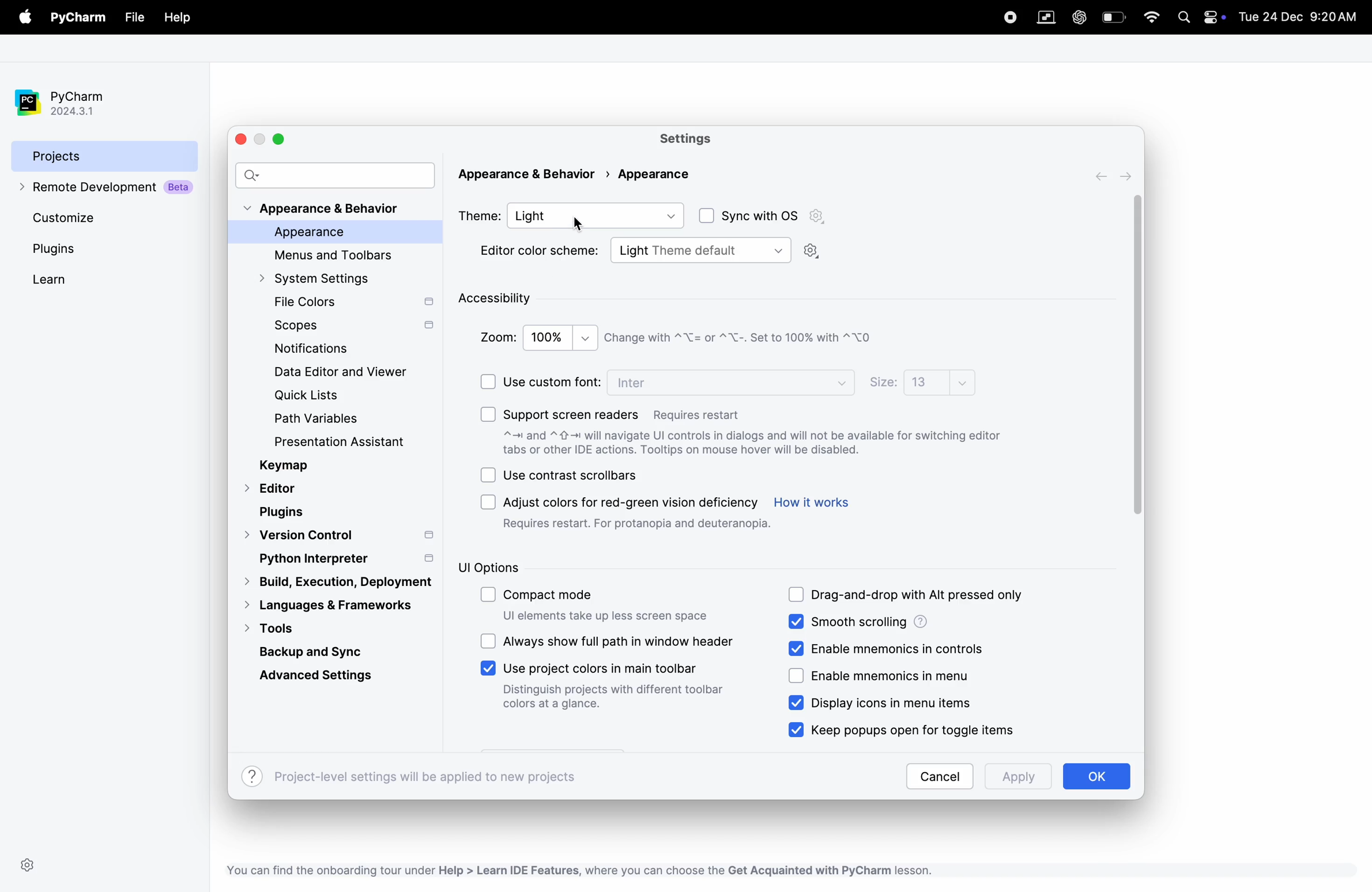 Image resolution: width=1372 pixels, height=892 pixels. Describe the element at coordinates (797, 729) in the screenshot. I see `checkbox` at that location.